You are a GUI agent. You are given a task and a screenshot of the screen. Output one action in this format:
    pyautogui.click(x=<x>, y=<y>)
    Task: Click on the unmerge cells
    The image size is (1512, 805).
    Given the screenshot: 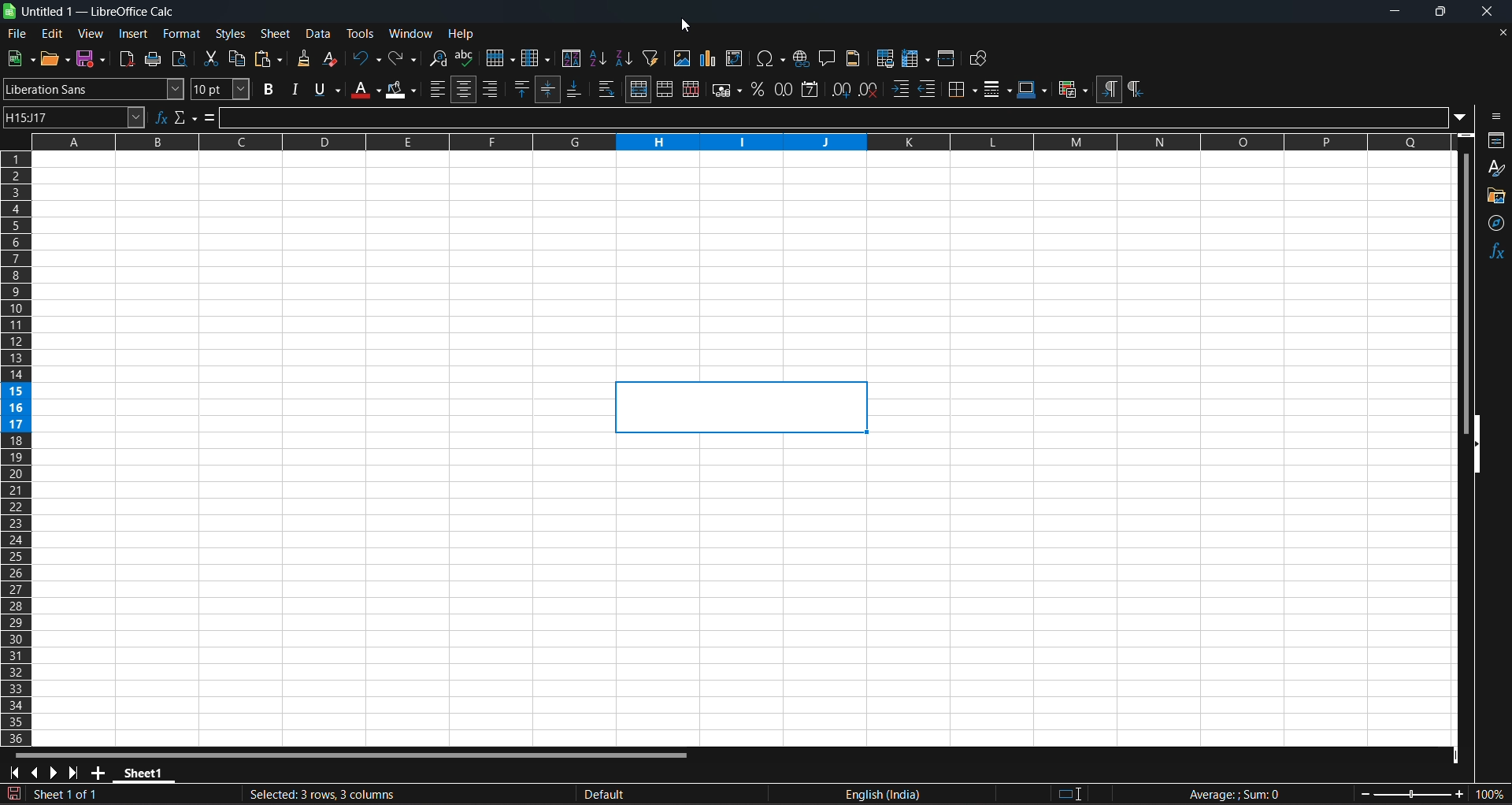 What is the action you would take?
    pyautogui.click(x=694, y=91)
    